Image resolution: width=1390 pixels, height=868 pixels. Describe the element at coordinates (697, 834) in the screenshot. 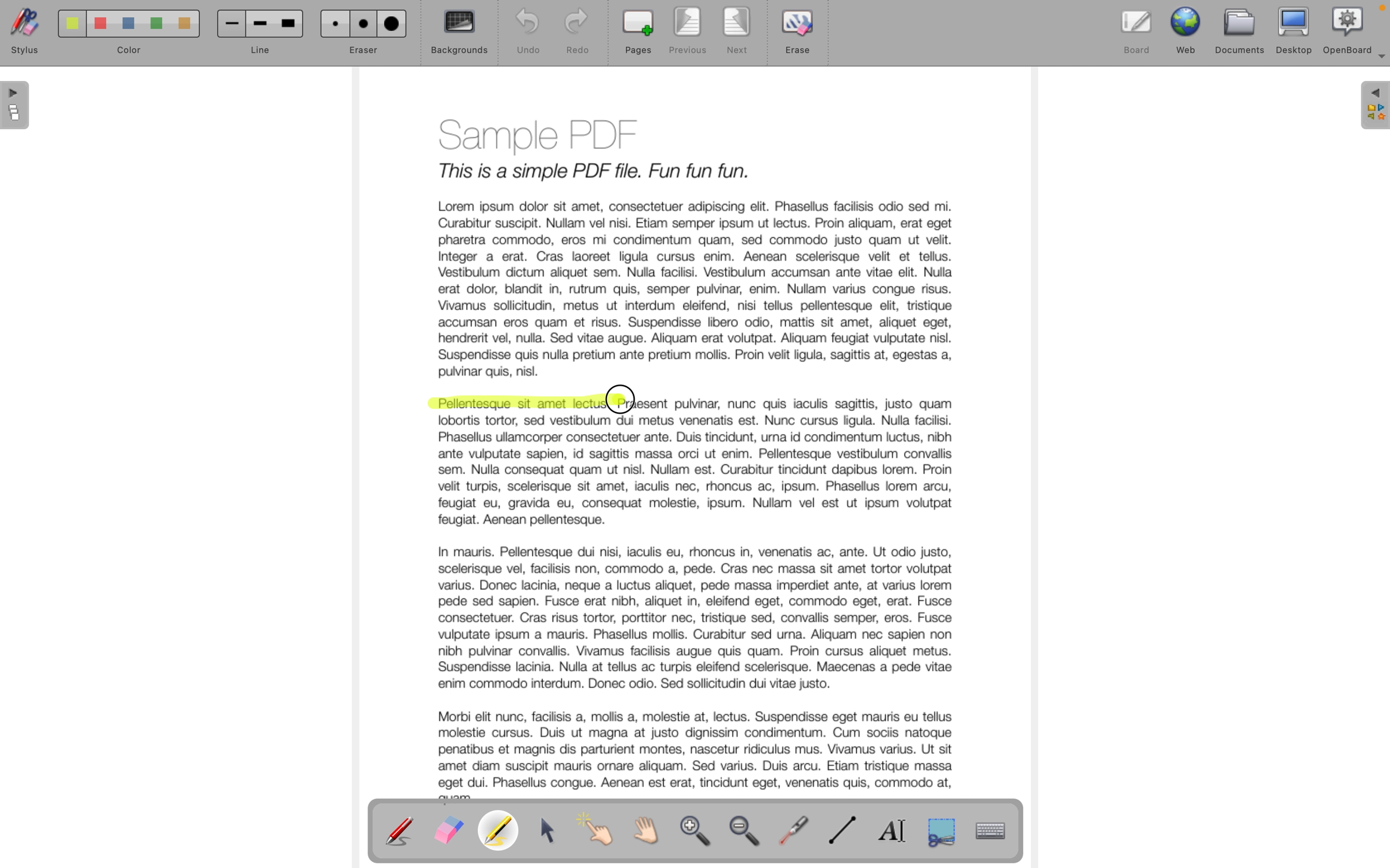

I see `zoom in` at that location.